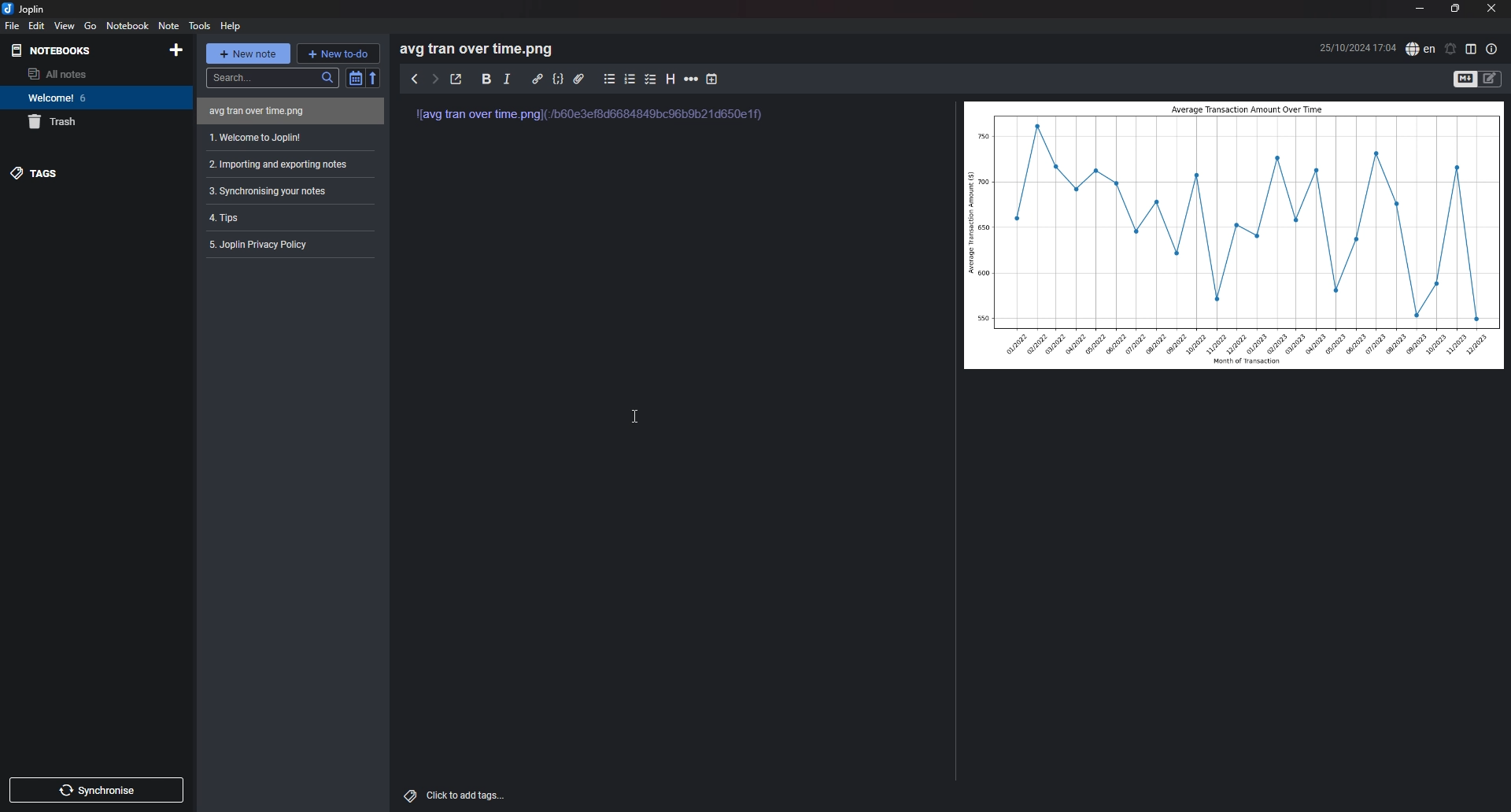 The image size is (1511, 812). What do you see at coordinates (671, 79) in the screenshot?
I see `heading` at bounding box center [671, 79].